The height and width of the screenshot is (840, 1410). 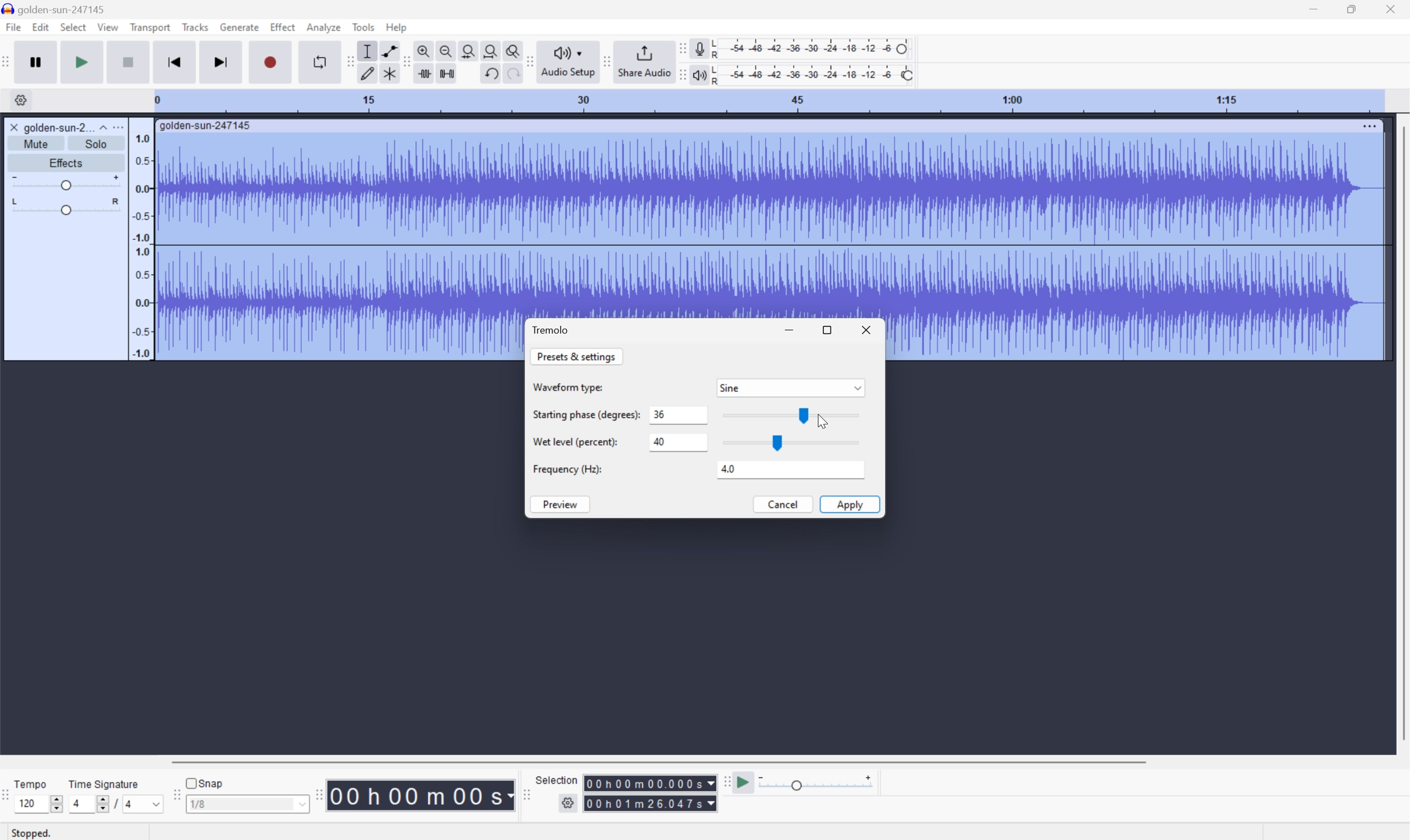 I want to click on Undo, so click(x=492, y=73).